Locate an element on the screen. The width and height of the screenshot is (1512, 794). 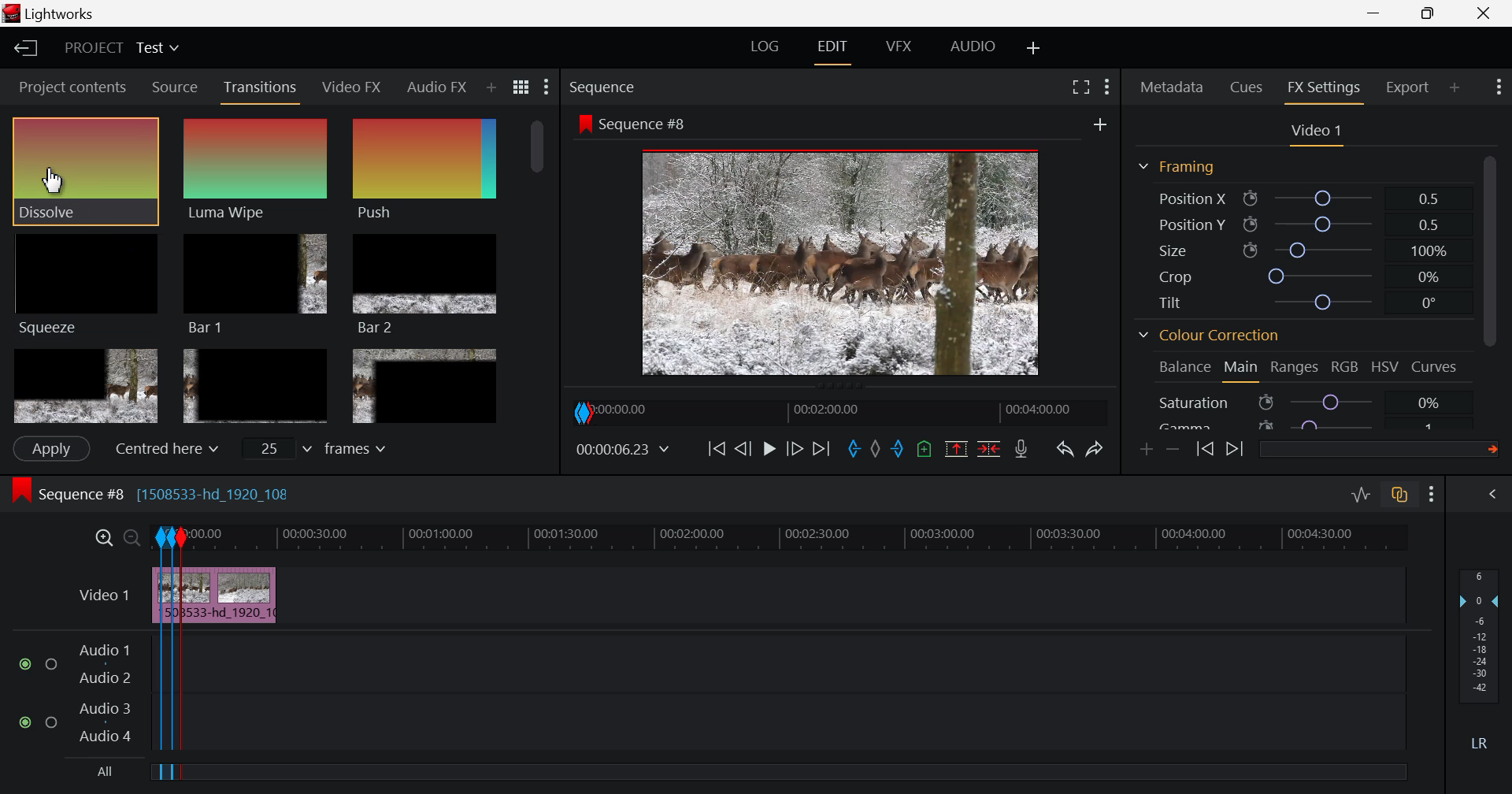
Push is located at coordinates (424, 169).